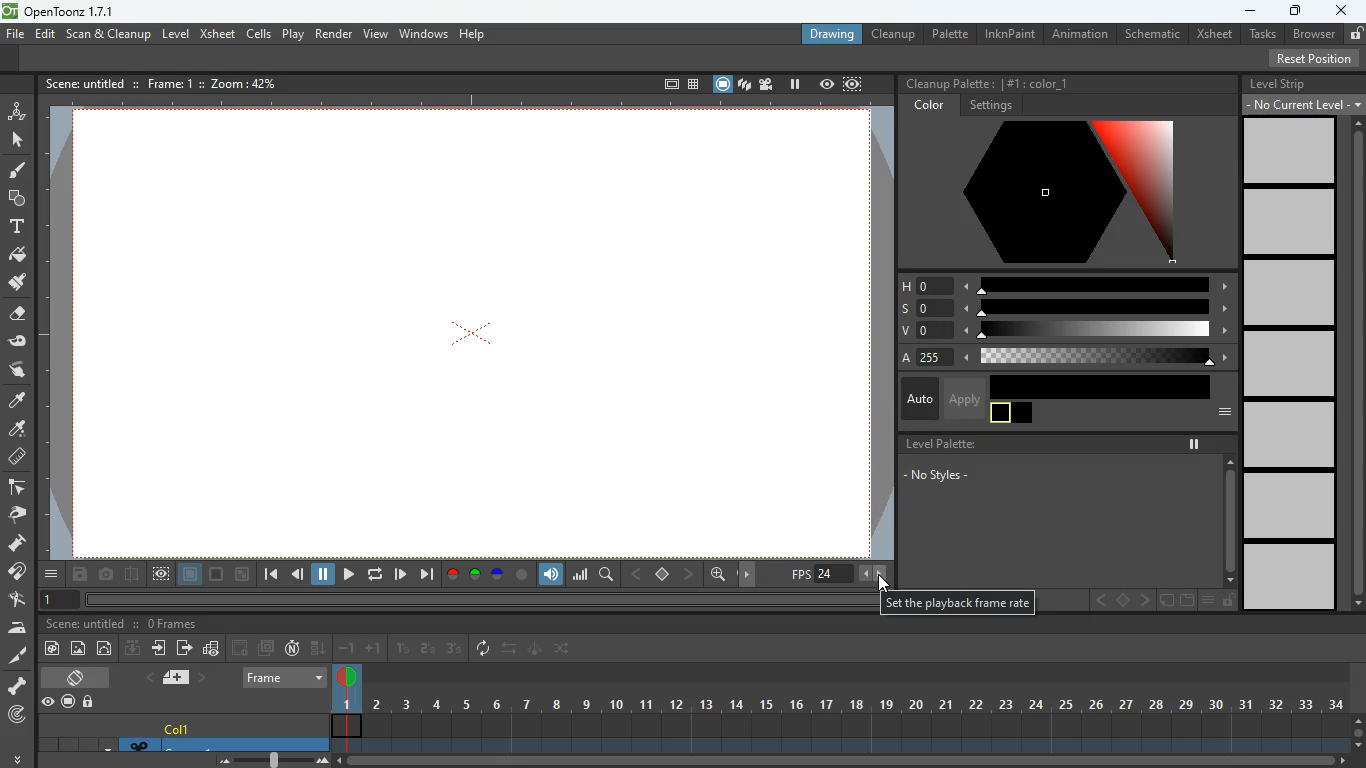 The image size is (1366, 768). What do you see at coordinates (78, 650) in the screenshot?
I see `image` at bounding box center [78, 650].